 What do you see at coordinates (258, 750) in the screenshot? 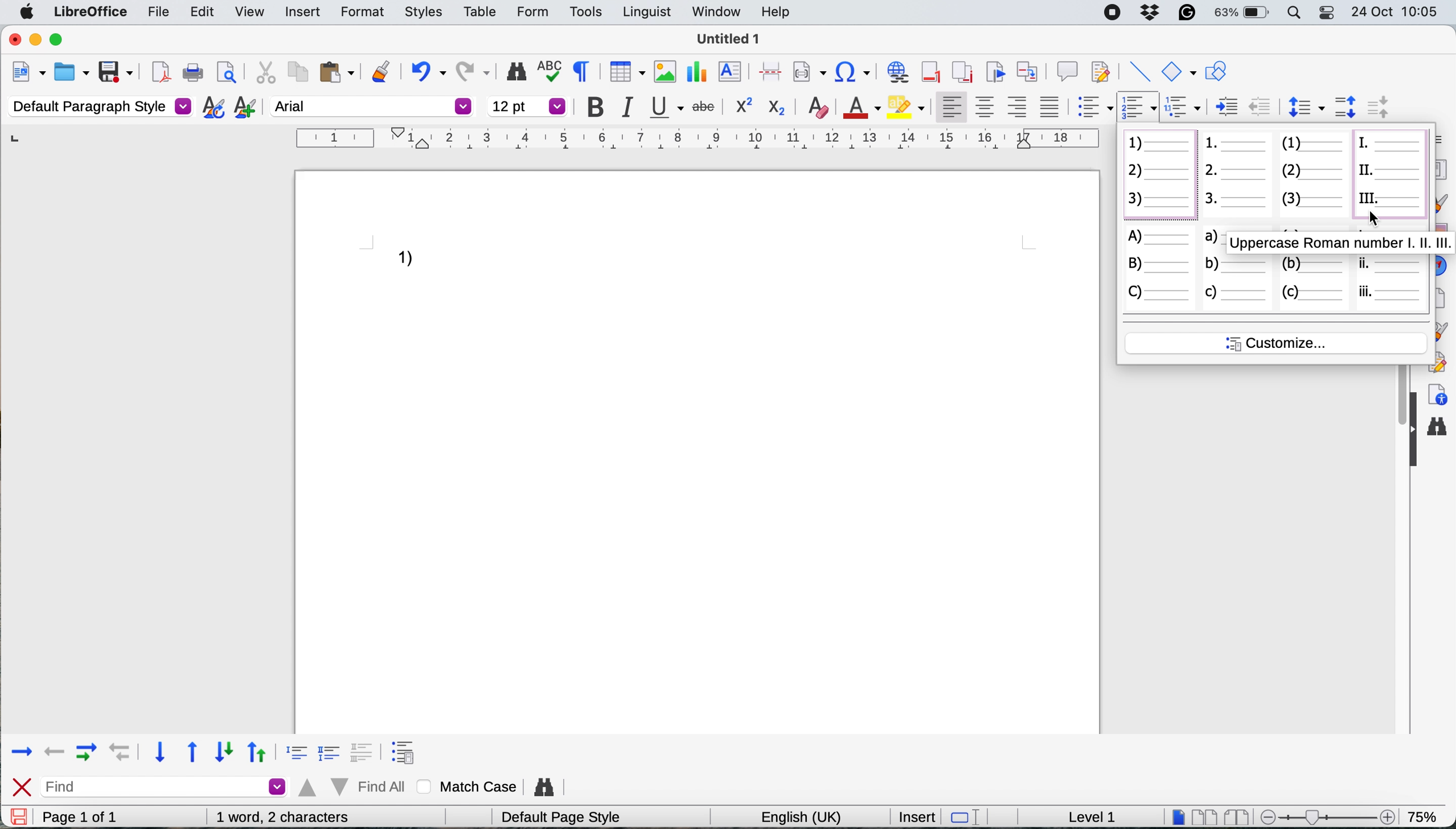
I see `up` at bounding box center [258, 750].